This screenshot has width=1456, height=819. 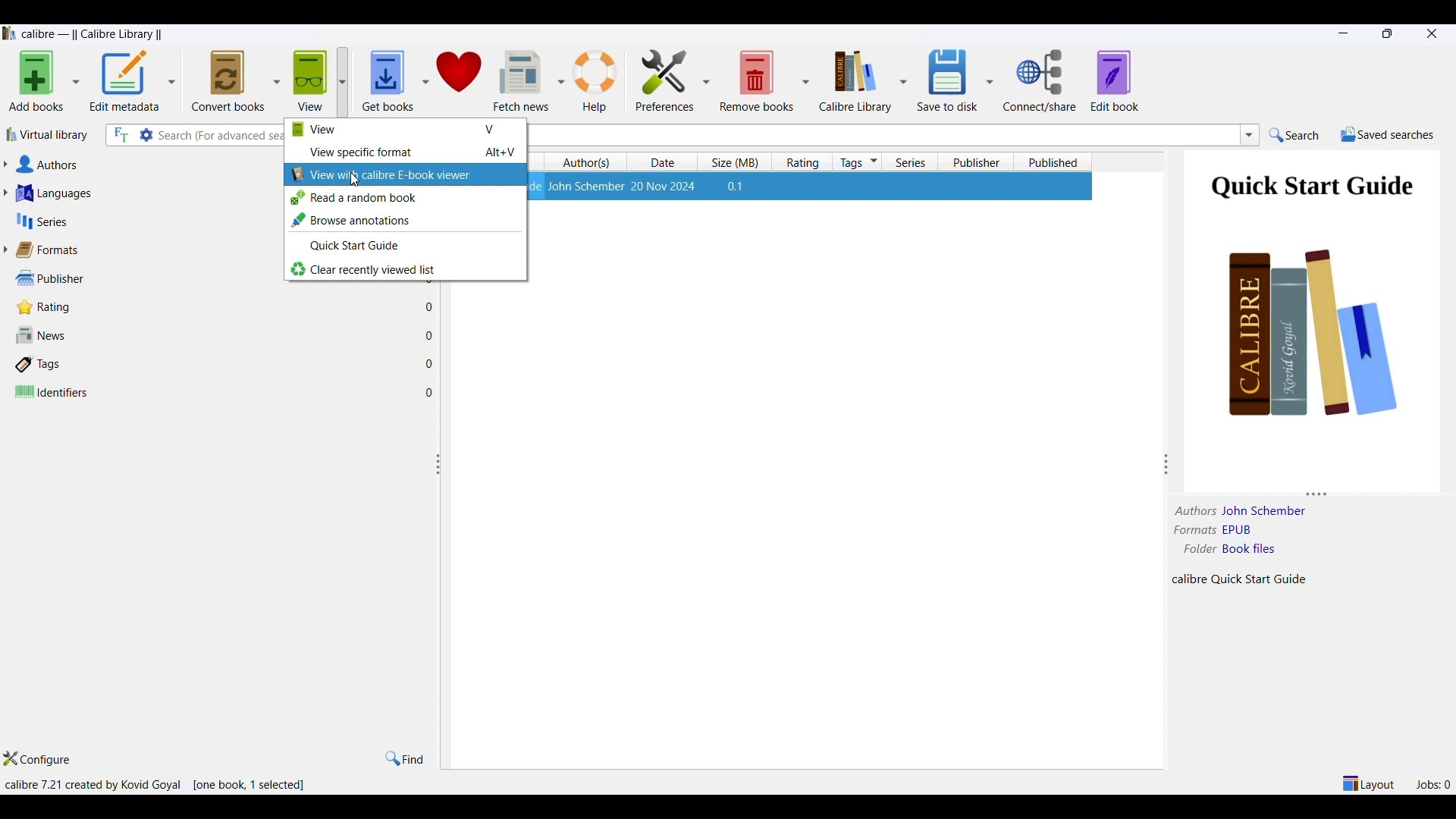 What do you see at coordinates (224, 80) in the screenshot?
I see `convert books` at bounding box center [224, 80].